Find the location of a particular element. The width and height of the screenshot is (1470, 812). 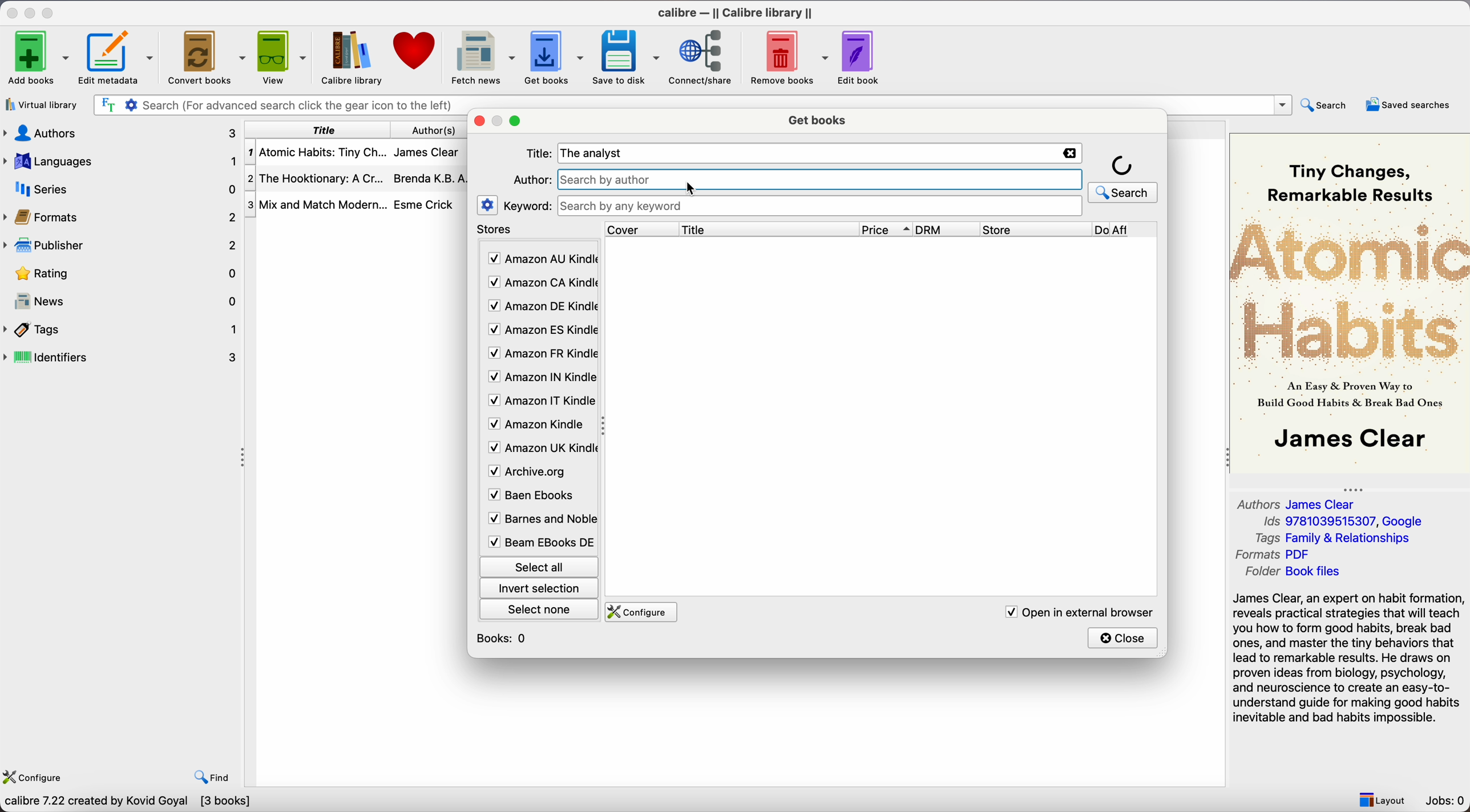

settings is located at coordinates (487, 205).